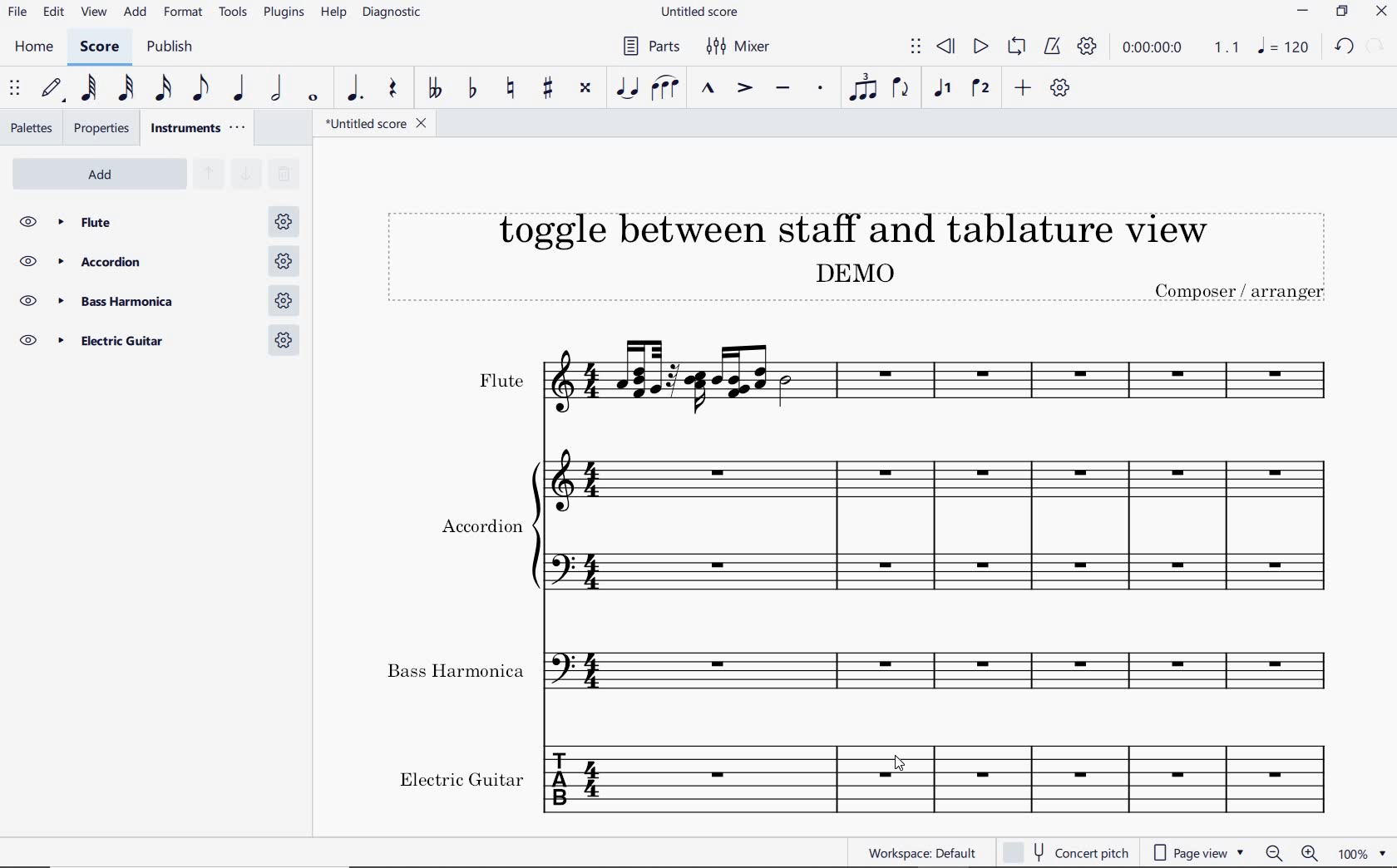 This screenshot has width=1397, height=868. What do you see at coordinates (1340, 12) in the screenshot?
I see `RESTORE DOWN` at bounding box center [1340, 12].